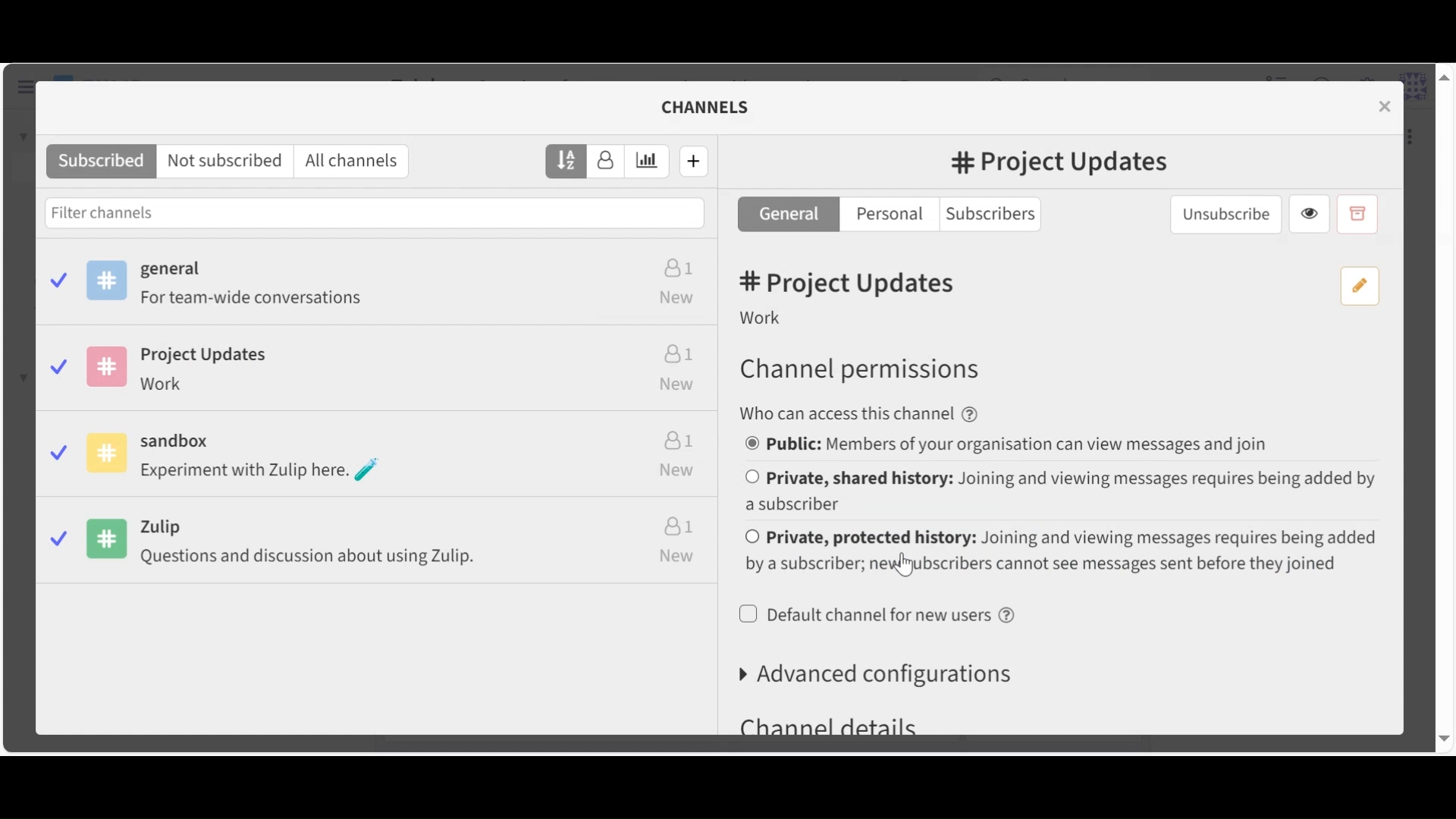  I want to click on Channel name, so click(1062, 165).